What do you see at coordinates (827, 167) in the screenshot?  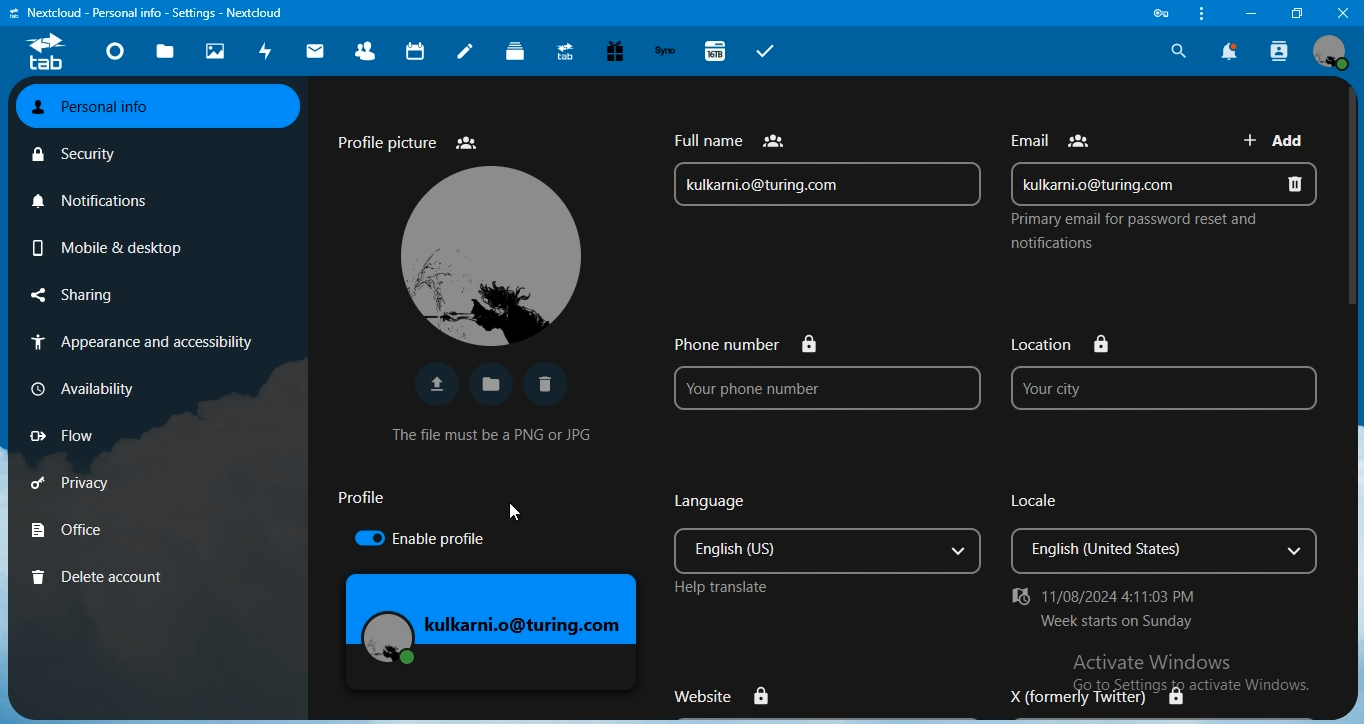 I see `full name` at bounding box center [827, 167].